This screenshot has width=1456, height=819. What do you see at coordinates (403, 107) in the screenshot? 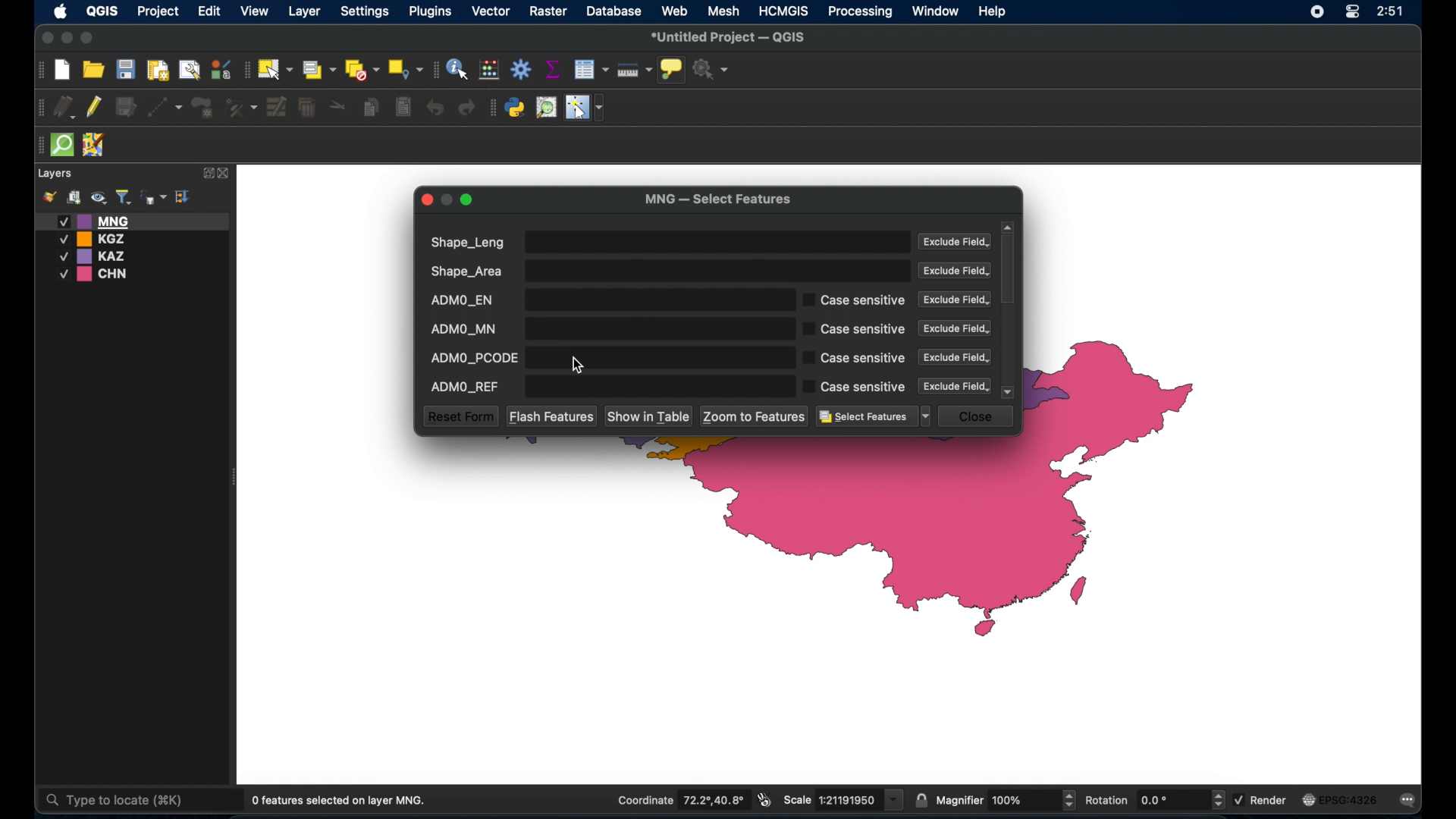
I see `delete selected` at bounding box center [403, 107].